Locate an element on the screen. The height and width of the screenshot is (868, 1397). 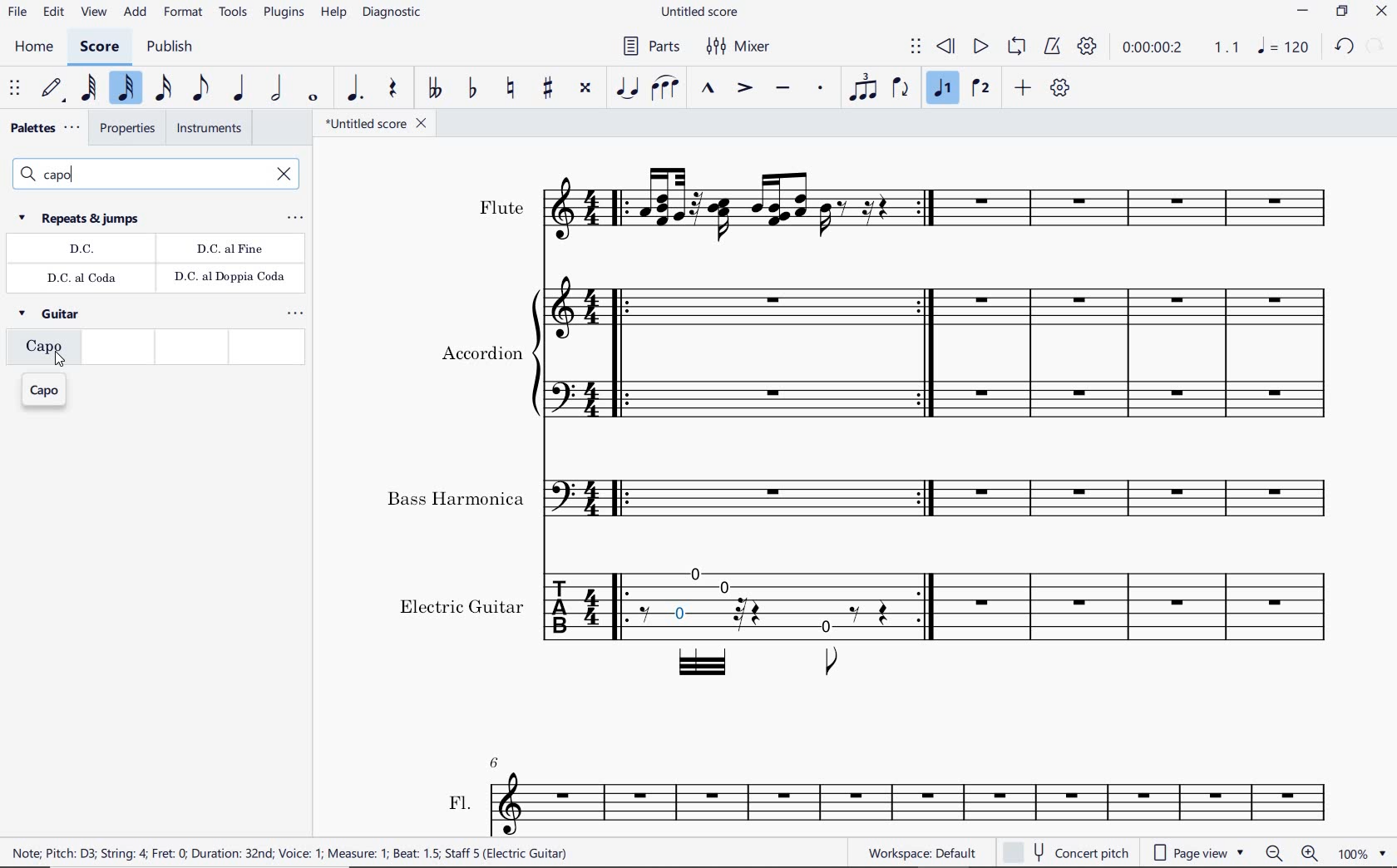
help is located at coordinates (333, 13).